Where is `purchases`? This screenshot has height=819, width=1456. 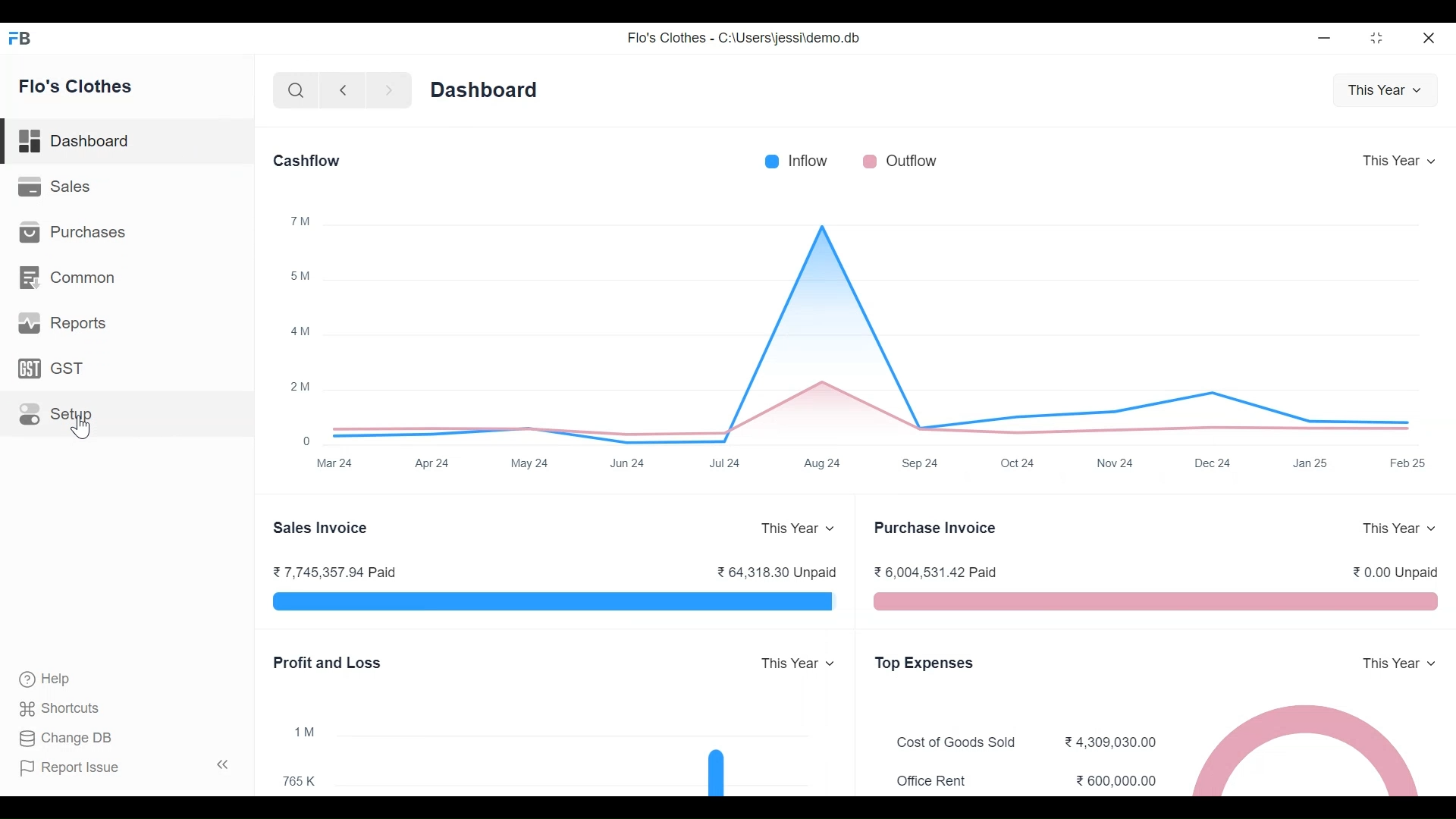 purchases is located at coordinates (71, 231).